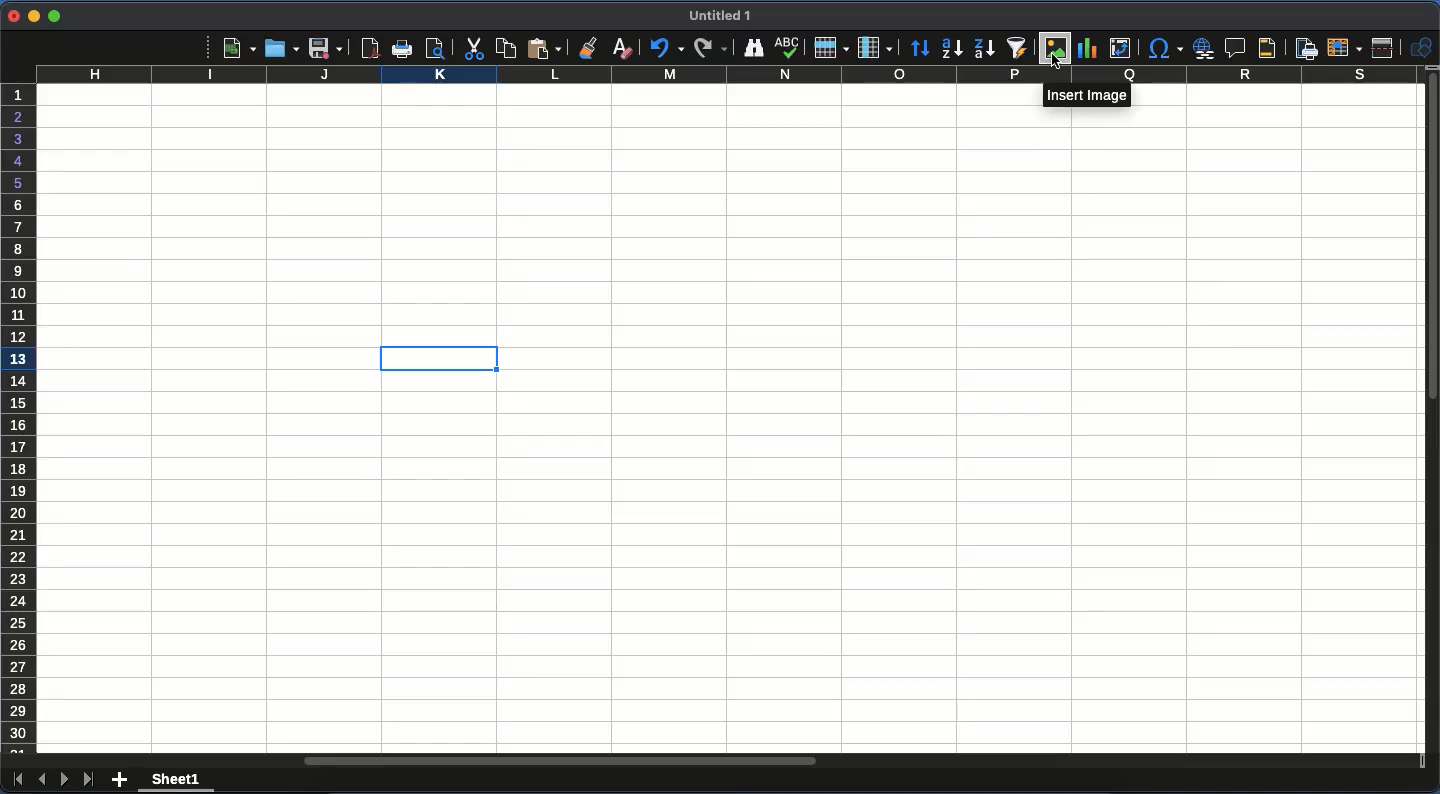  Describe the element at coordinates (790, 49) in the screenshot. I see `spell check` at that location.